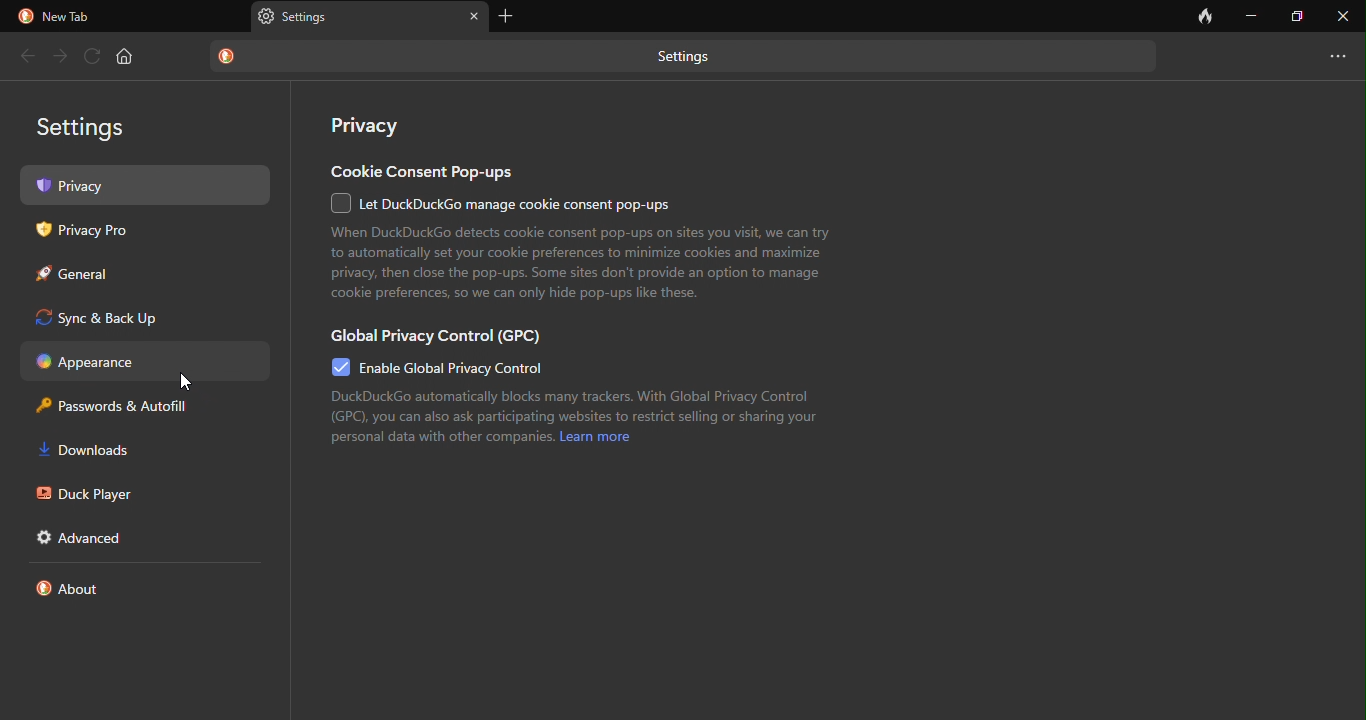  What do you see at coordinates (76, 592) in the screenshot?
I see `about` at bounding box center [76, 592].